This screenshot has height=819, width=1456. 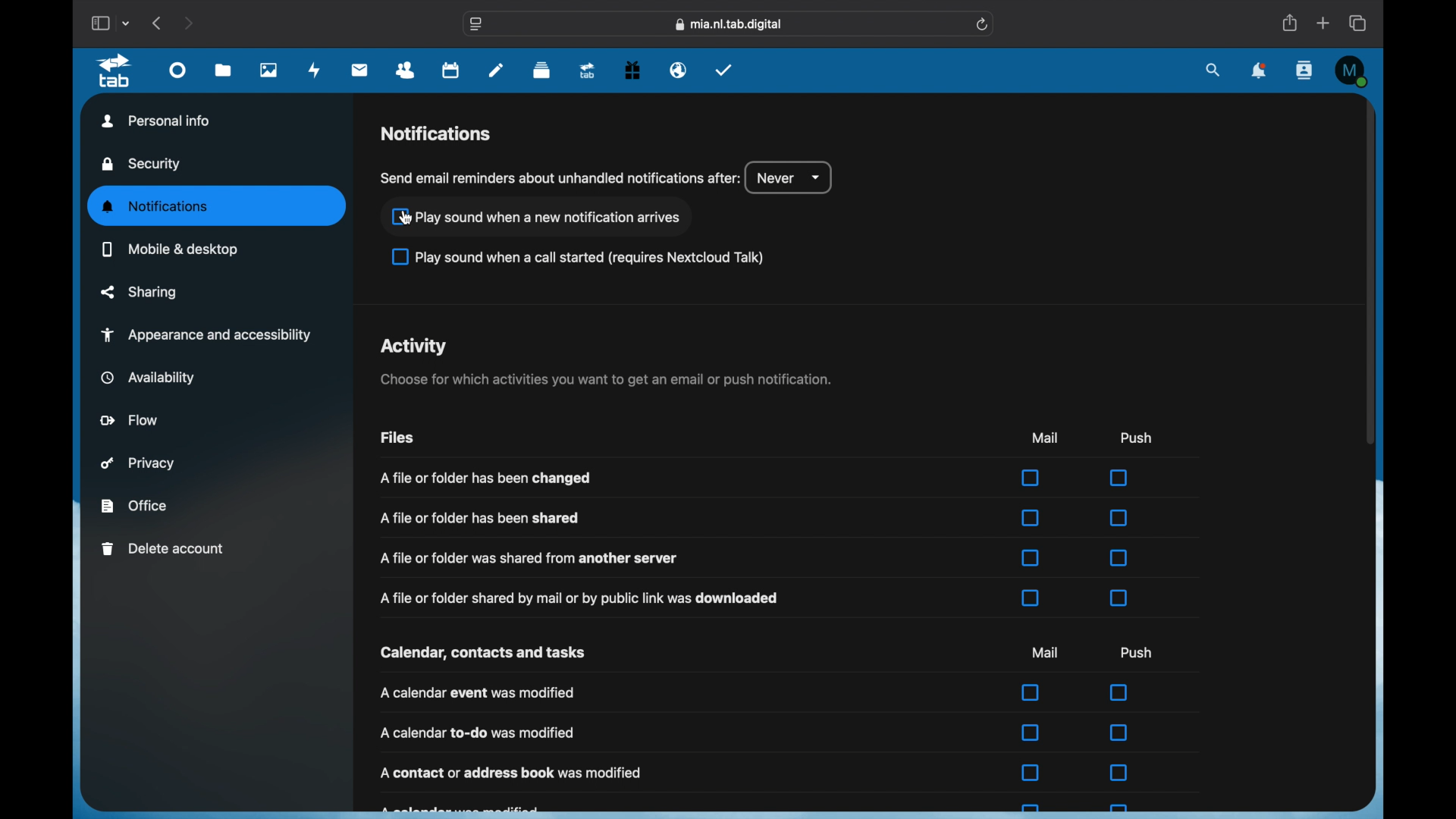 I want to click on activity, so click(x=315, y=70).